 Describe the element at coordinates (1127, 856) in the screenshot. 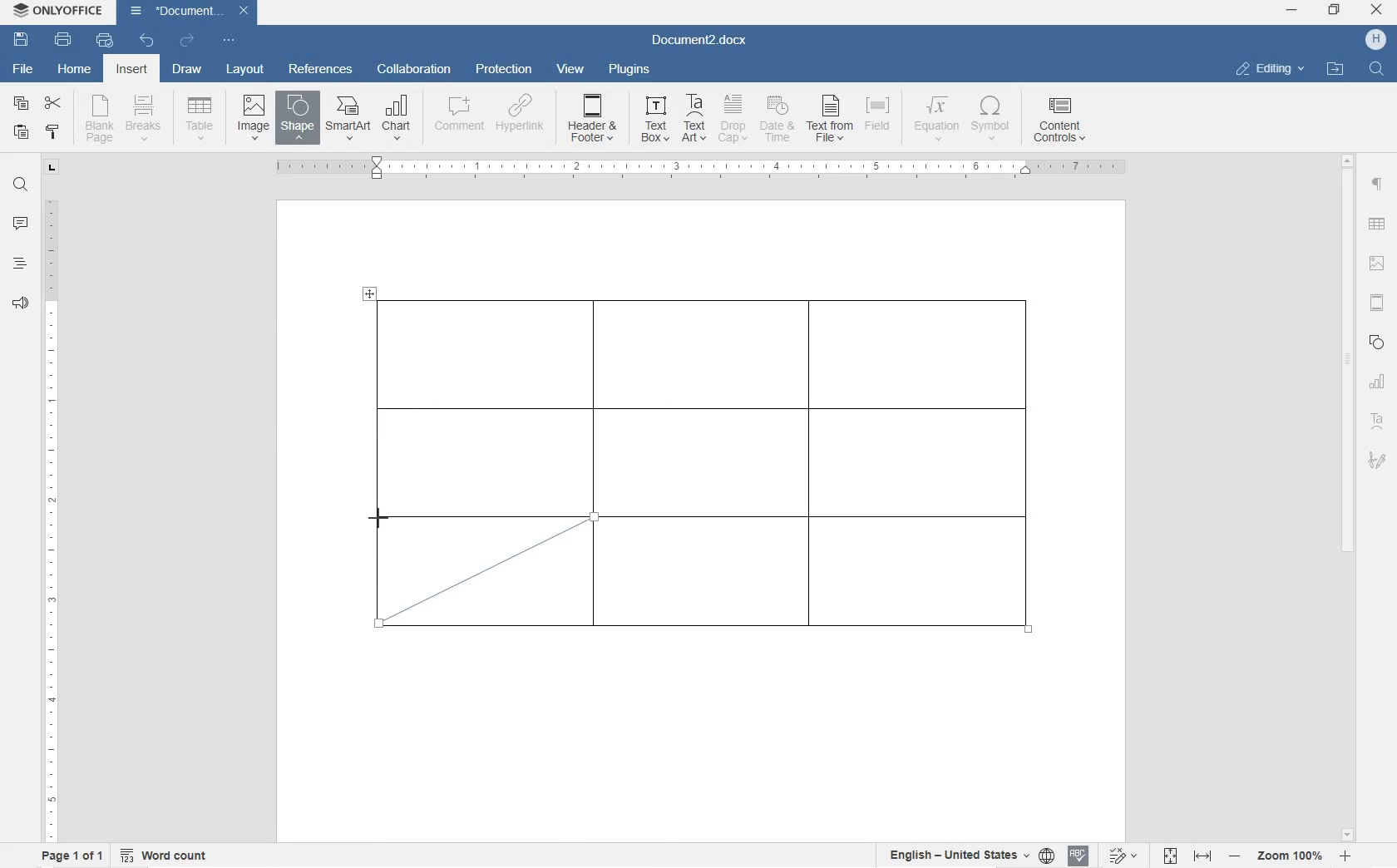

I see `track changes` at that location.